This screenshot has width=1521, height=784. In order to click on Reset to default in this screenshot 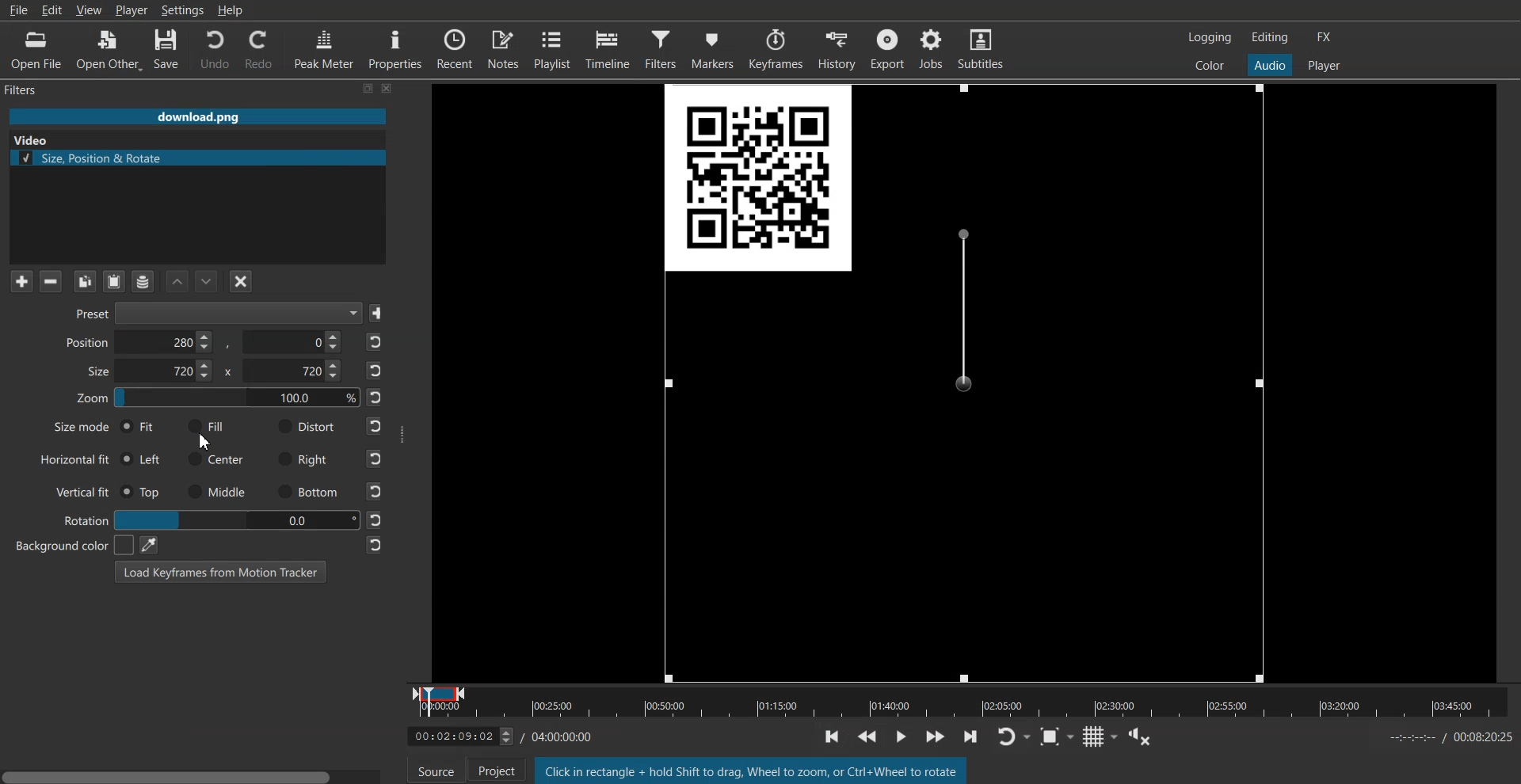, I will do `click(375, 443)`.